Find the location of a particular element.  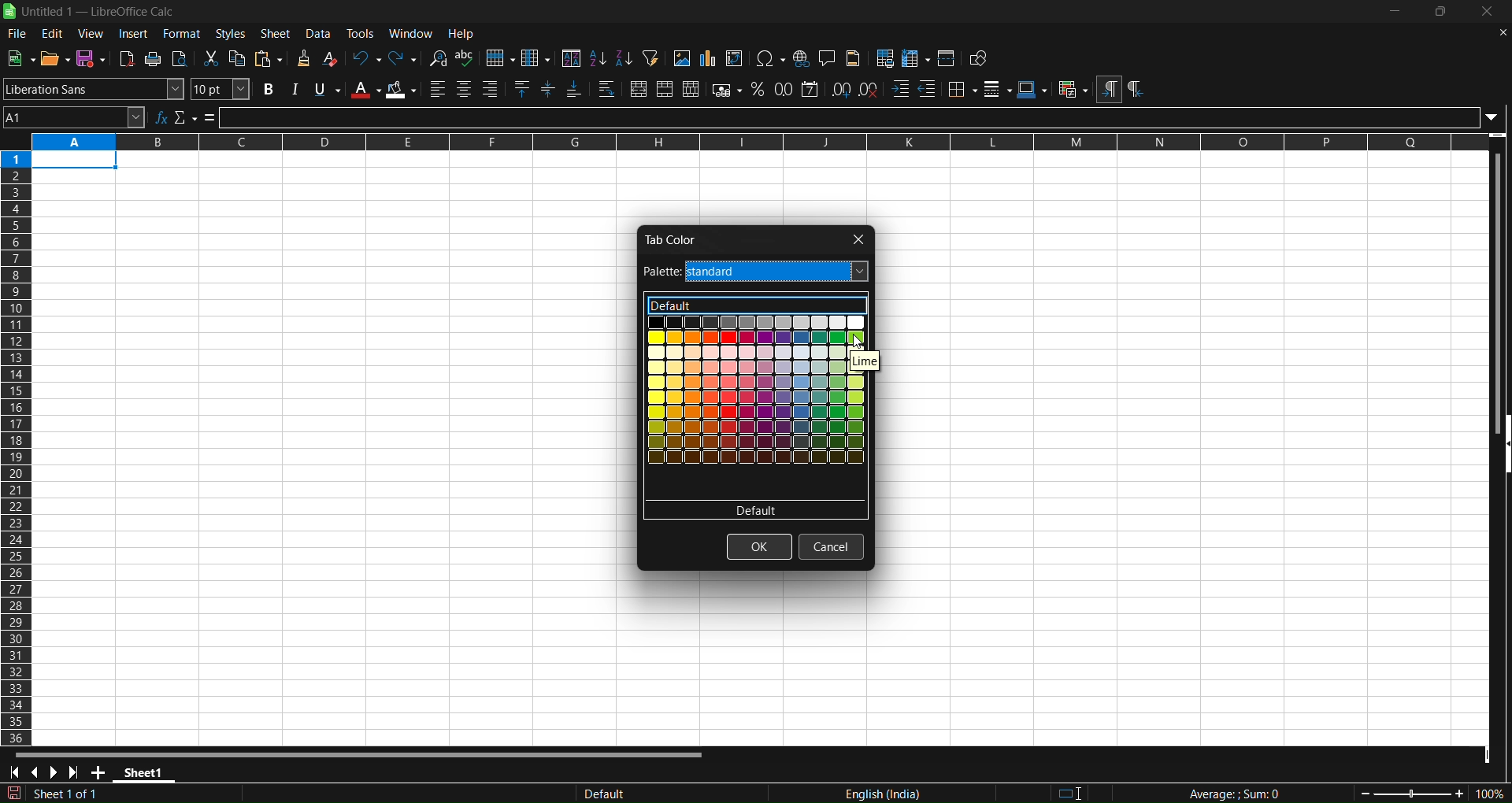

scroll to next sheet is located at coordinates (54, 772).